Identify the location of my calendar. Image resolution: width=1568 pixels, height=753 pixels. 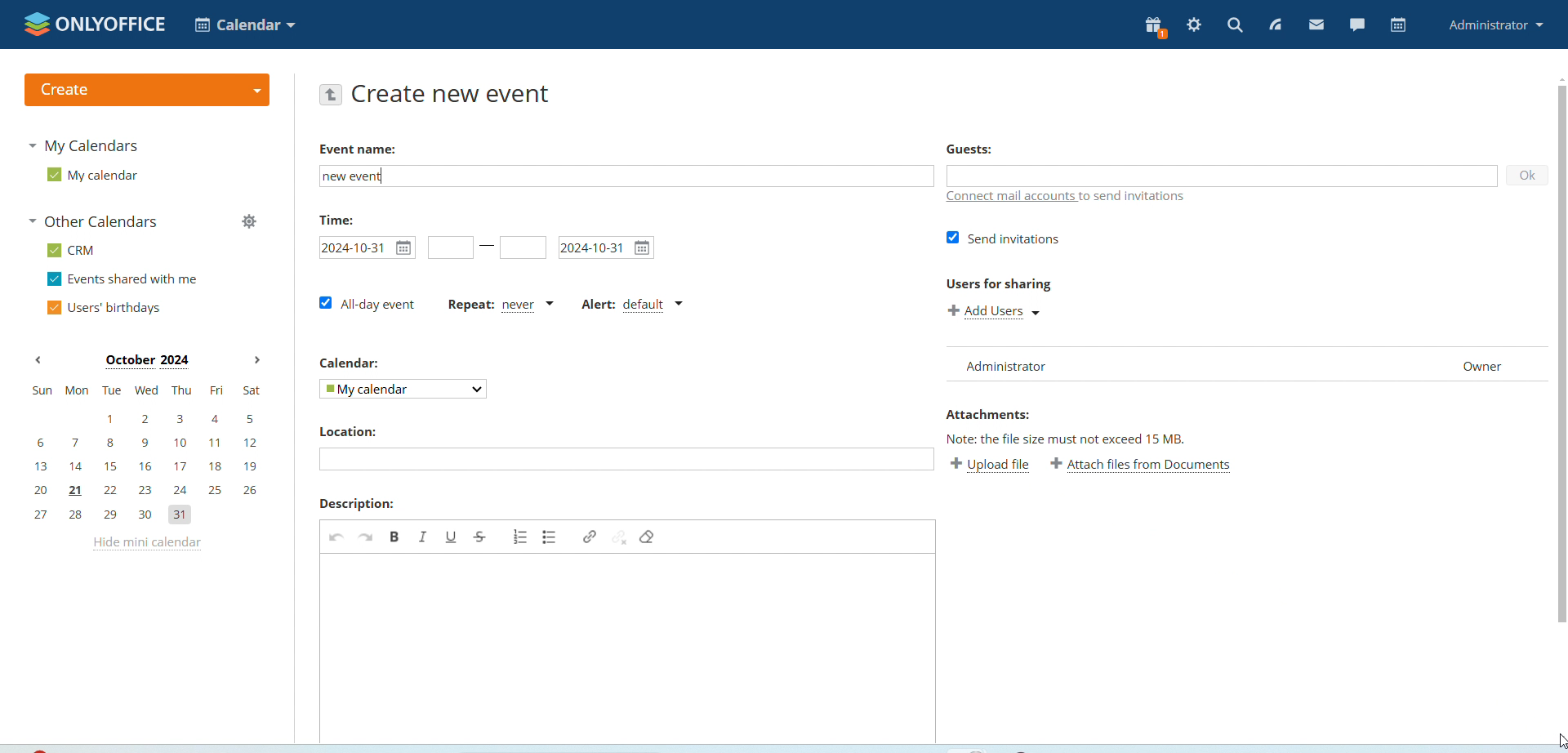
(405, 389).